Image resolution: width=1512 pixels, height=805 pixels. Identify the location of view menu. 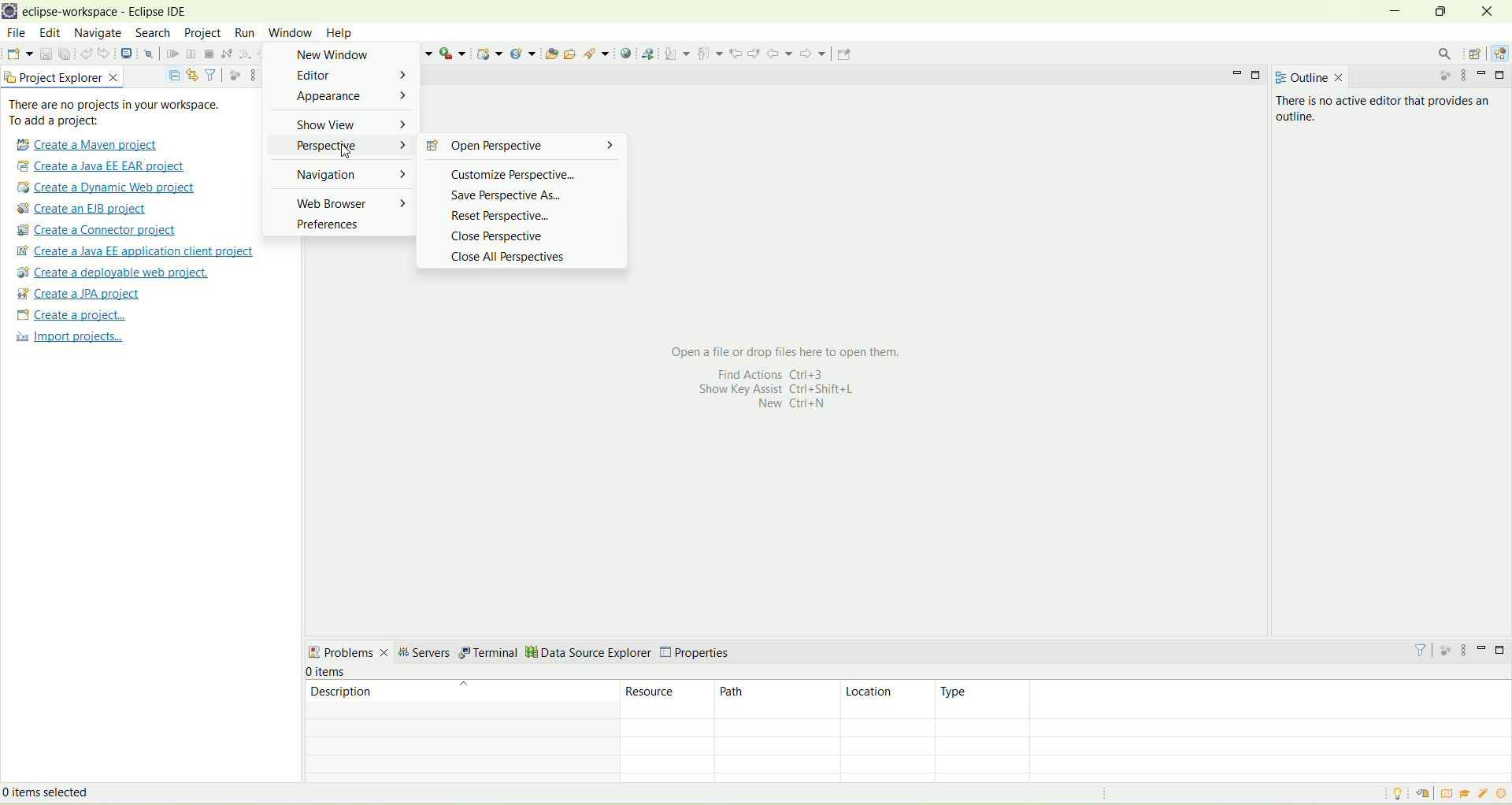
(1467, 77).